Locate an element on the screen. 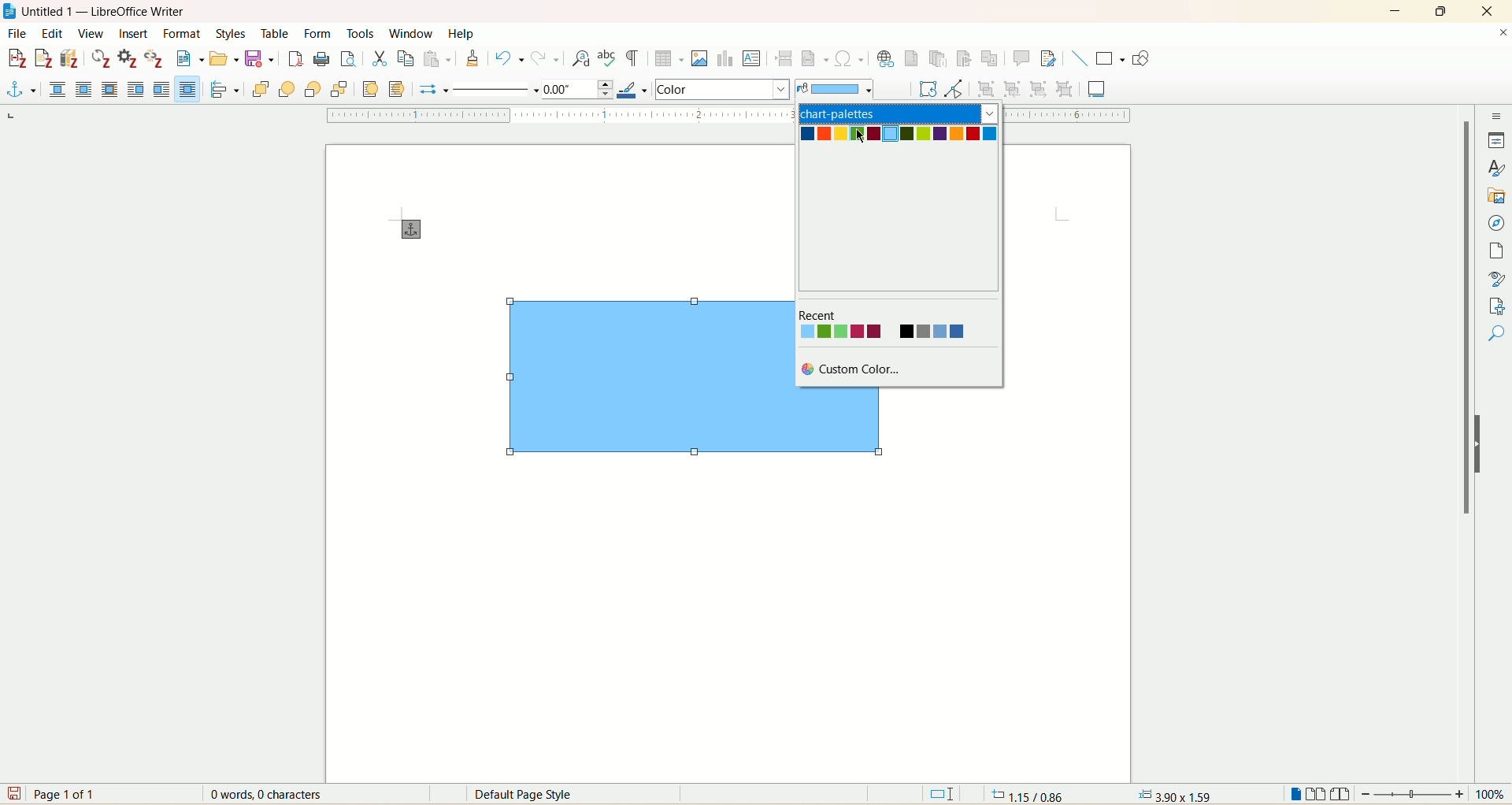 The height and width of the screenshot is (805, 1512). words and character is located at coordinates (263, 795).